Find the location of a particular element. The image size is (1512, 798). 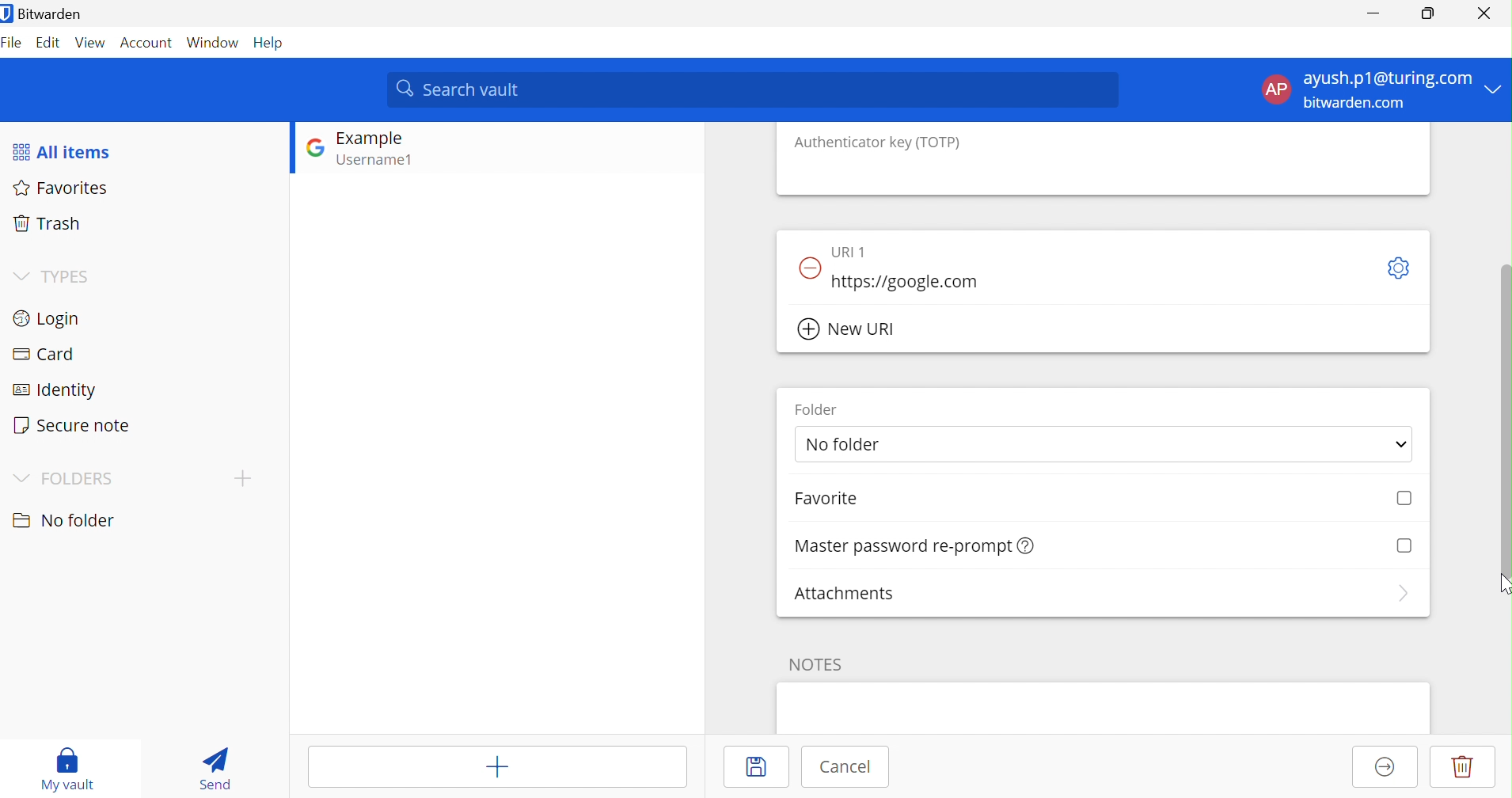

Notes is located at coordinates (817, 663).